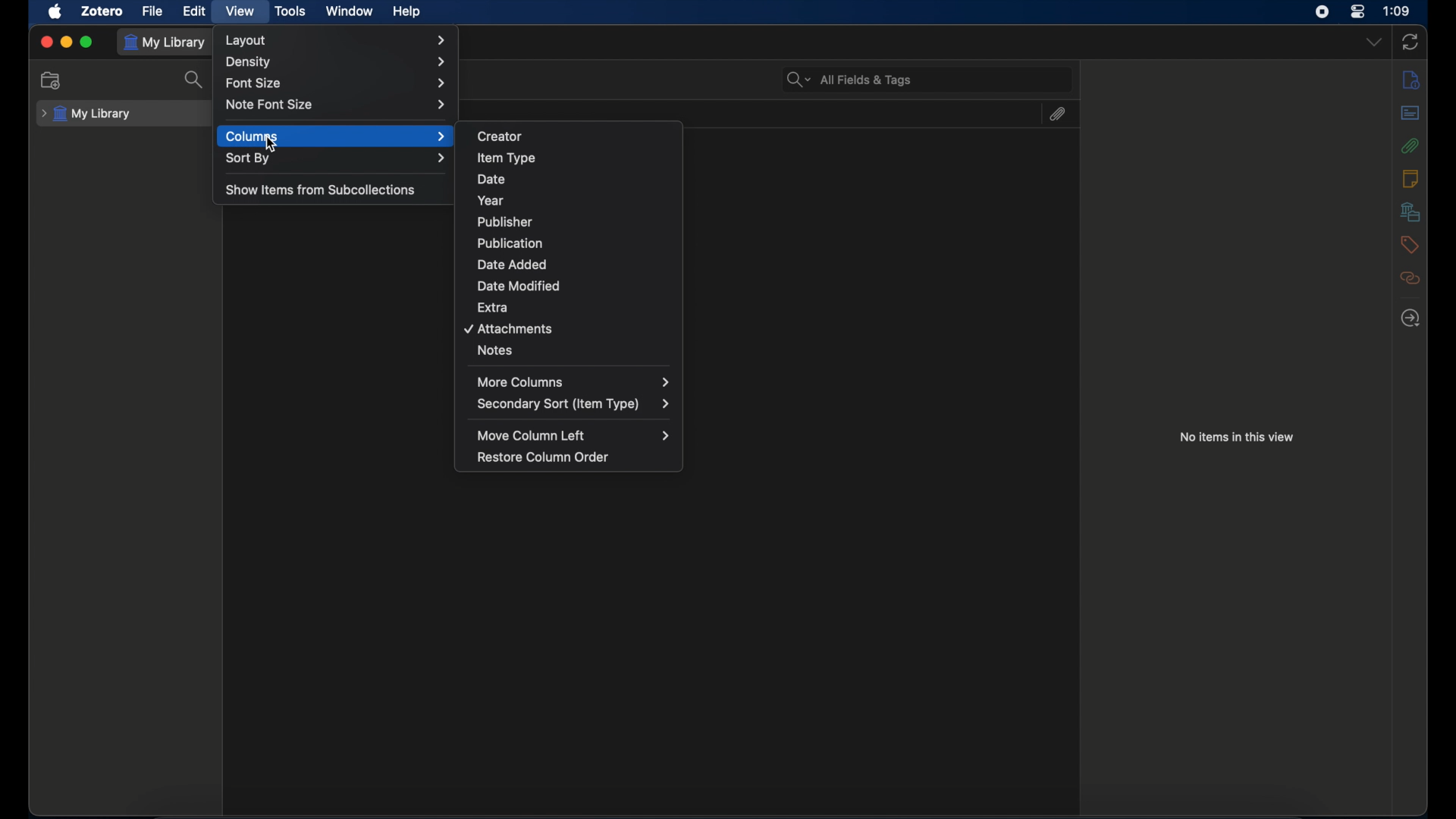 The image size is (1456, 819). Describe the element at coordinates (507, 158) in the screenshot. I see `item type` at that location.